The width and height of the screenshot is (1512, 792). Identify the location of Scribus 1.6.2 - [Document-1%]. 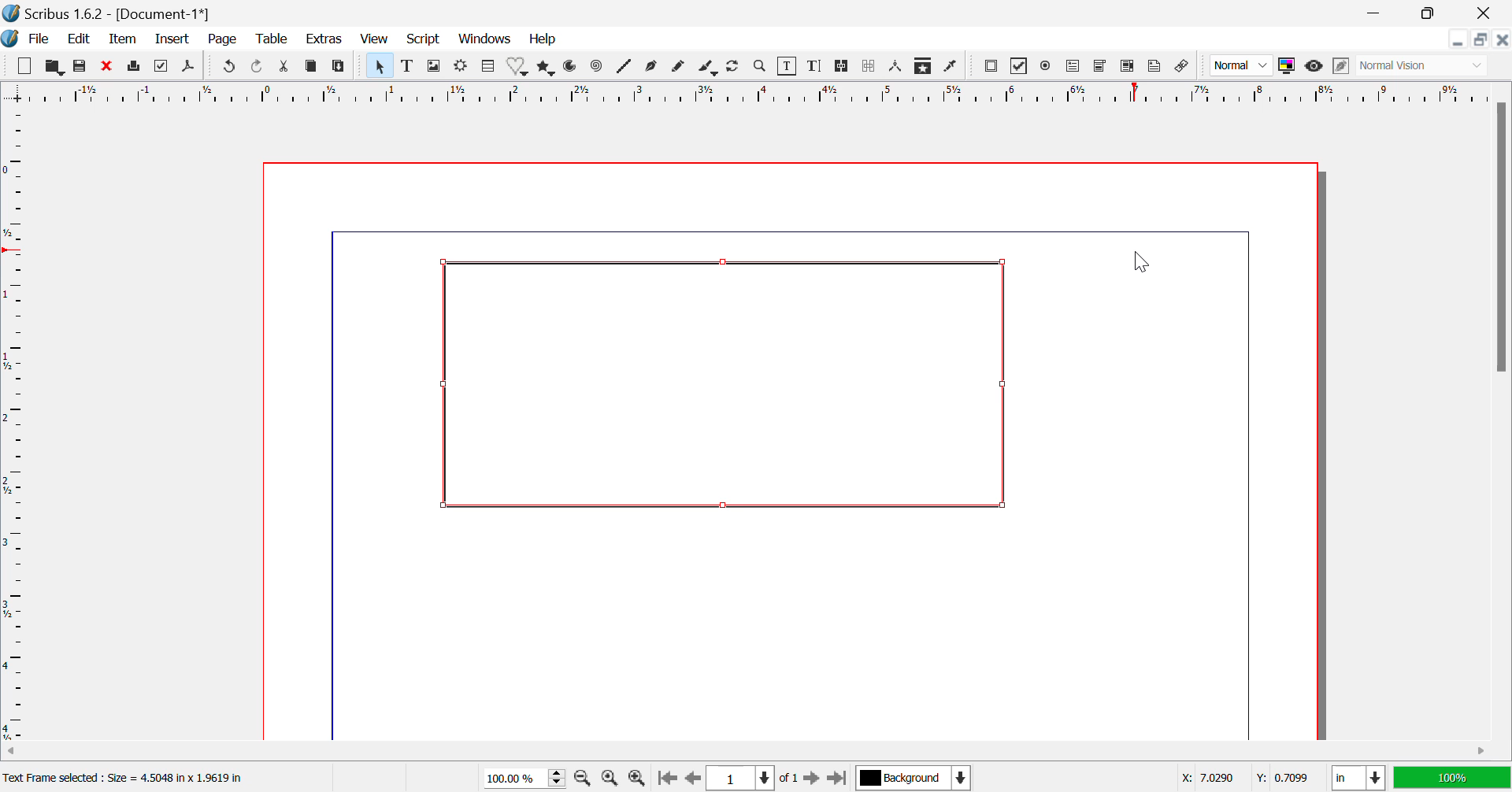
(122, 12).